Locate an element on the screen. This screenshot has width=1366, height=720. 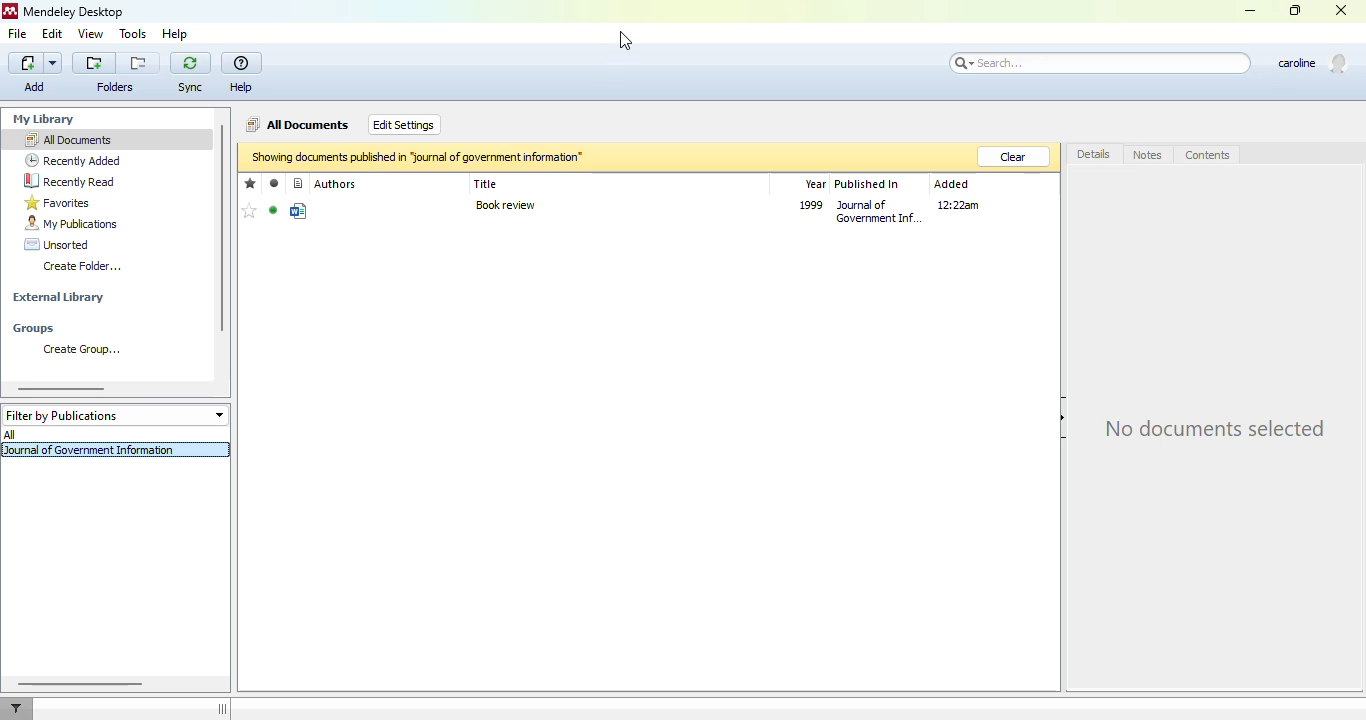
maximize is located at coordinates (1295, 10).